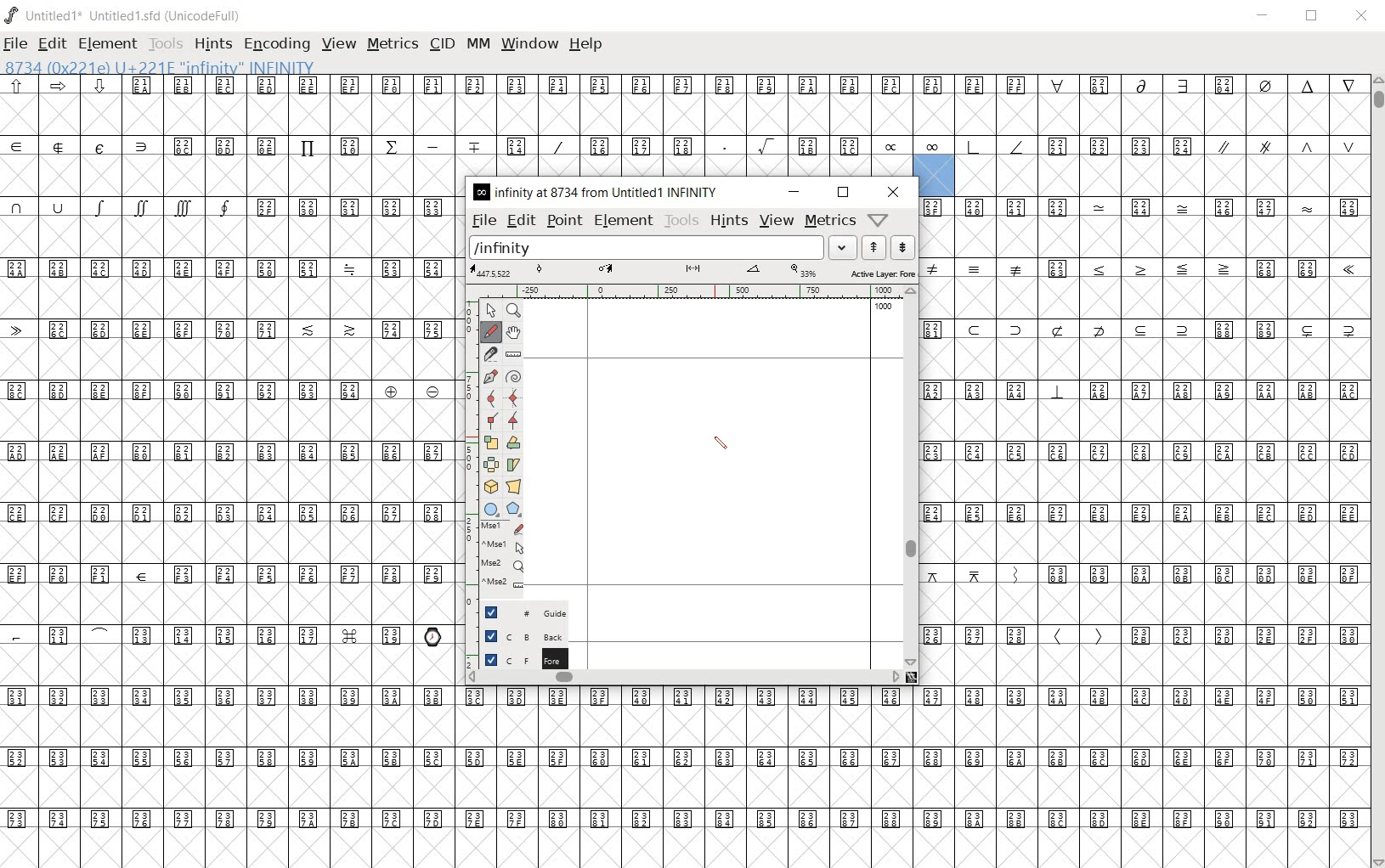 This screenshot has width=1385, height=868. Describe the element at coordinates (513, 420) in the screenshot. I see `Add a corner point` at that location.